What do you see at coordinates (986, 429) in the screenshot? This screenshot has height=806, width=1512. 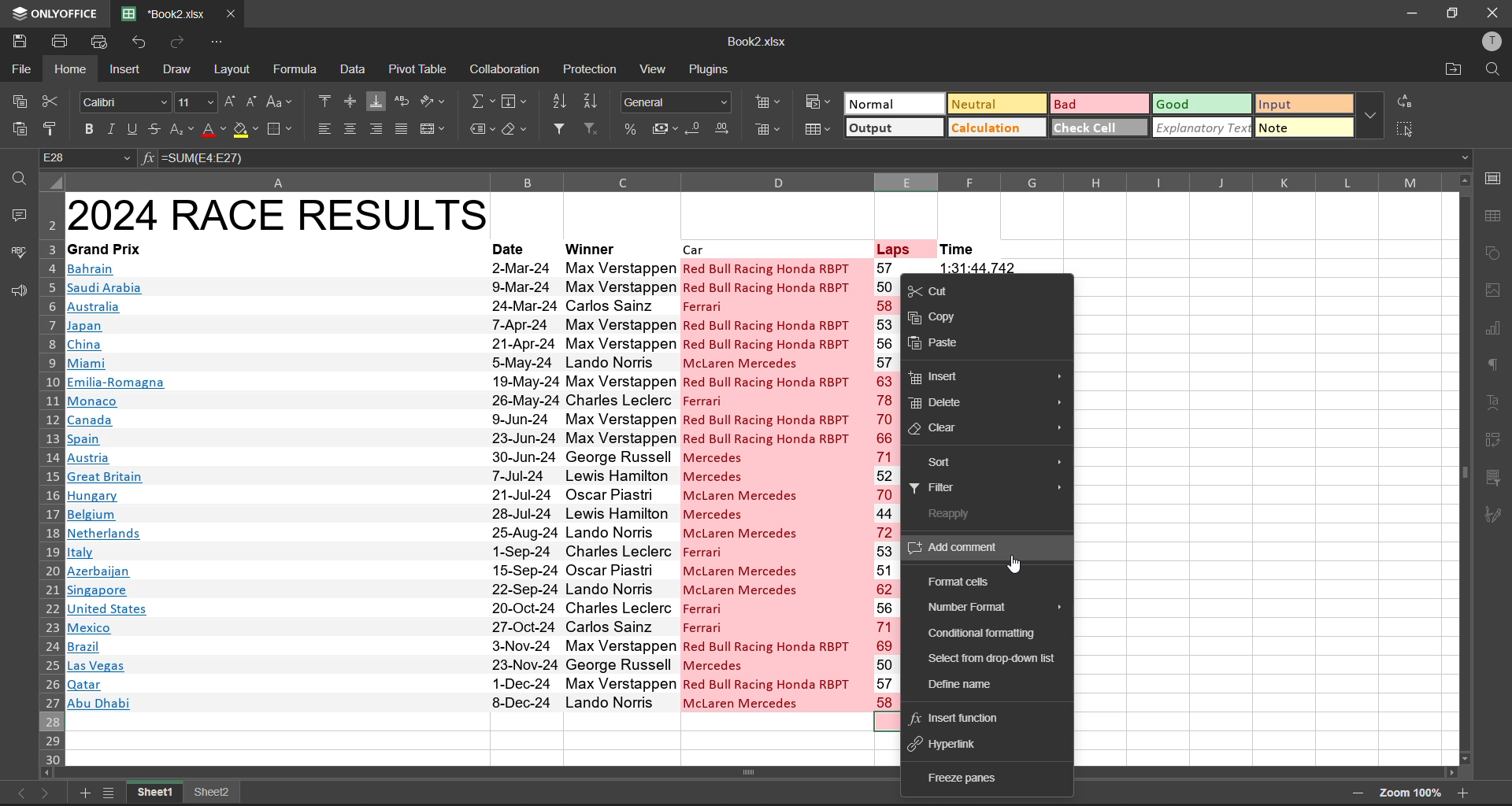 I see `clear` at bounding box center [986, 429].